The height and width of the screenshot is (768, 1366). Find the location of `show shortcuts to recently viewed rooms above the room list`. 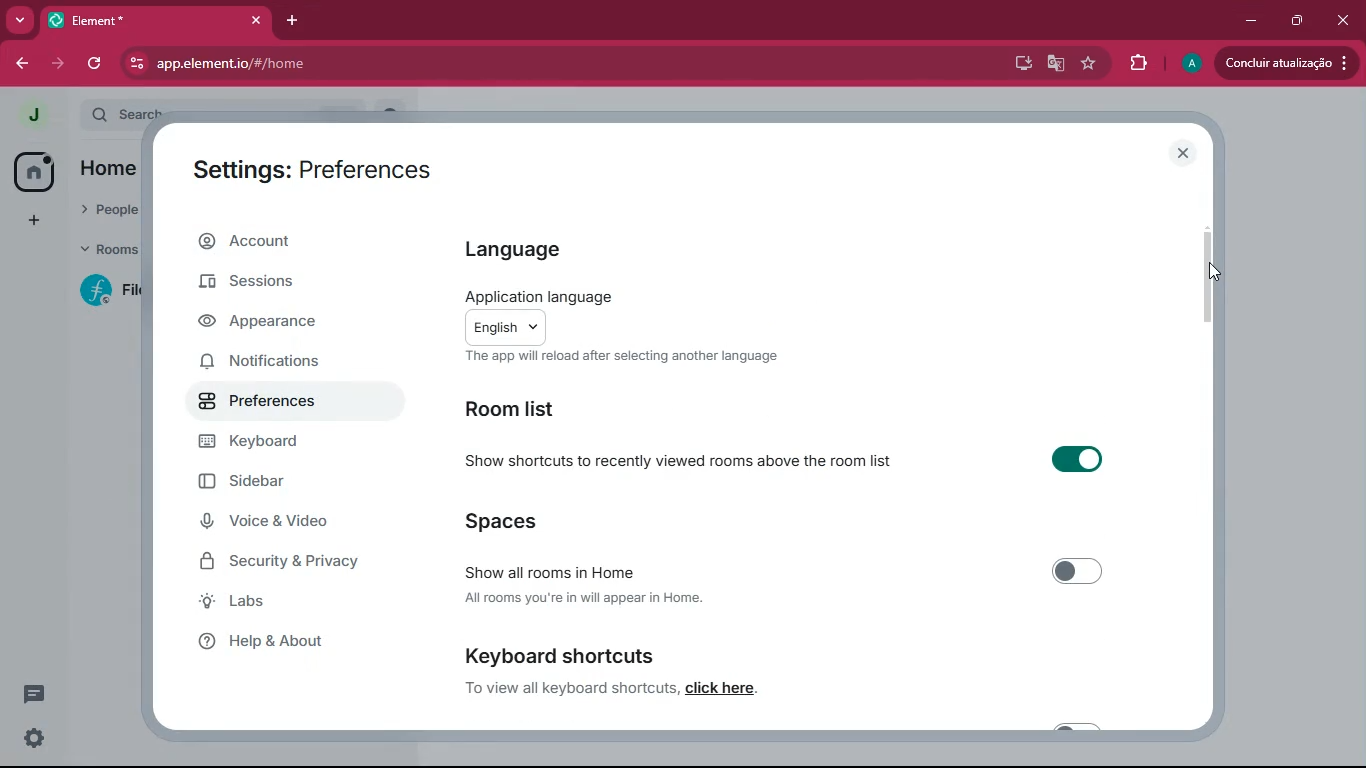

show shortcuts to recently viewed rooms above the room list is located at coordinates (683, 459).